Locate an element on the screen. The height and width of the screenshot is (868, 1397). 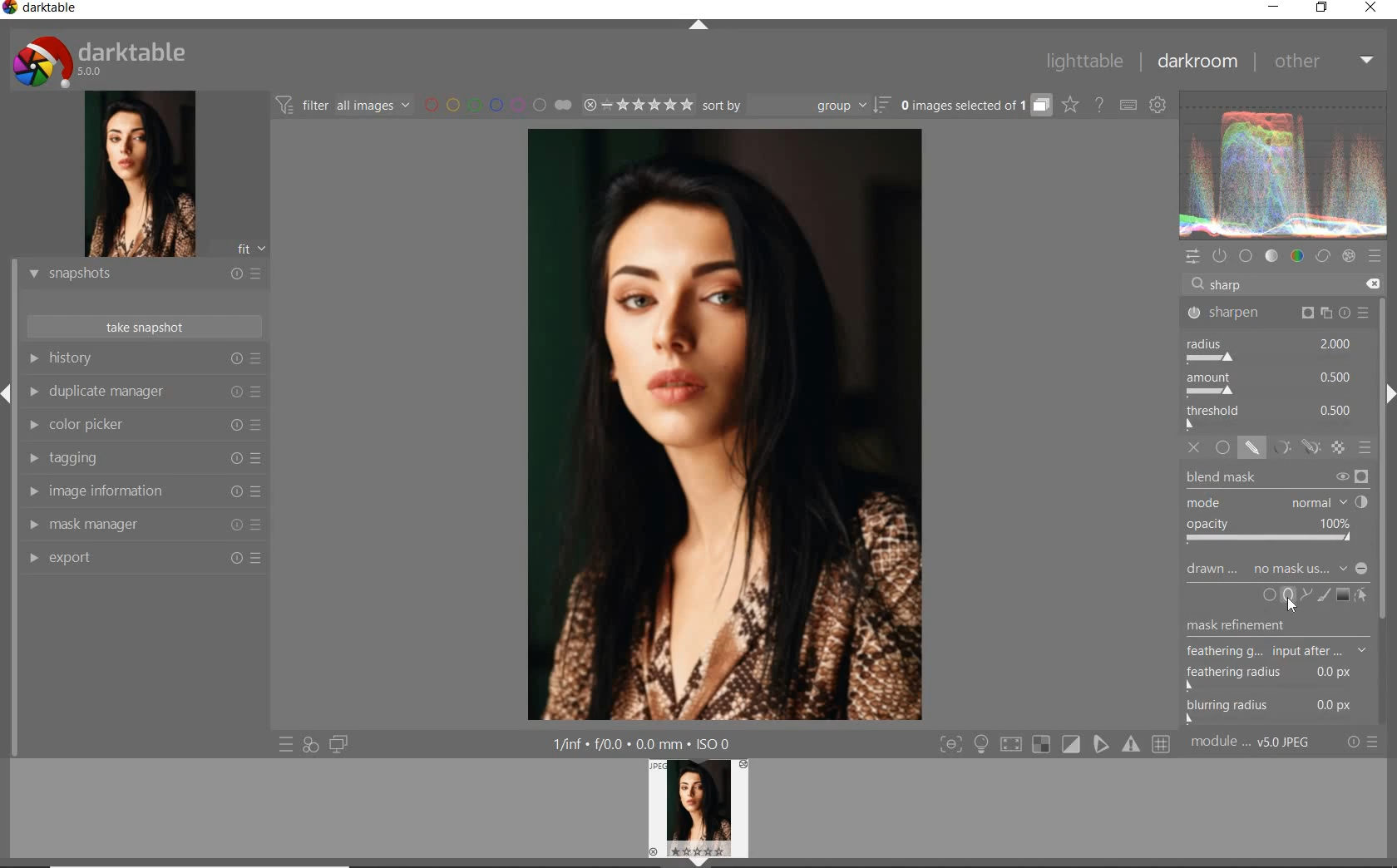
tagging is located at coordinates (143, 458).